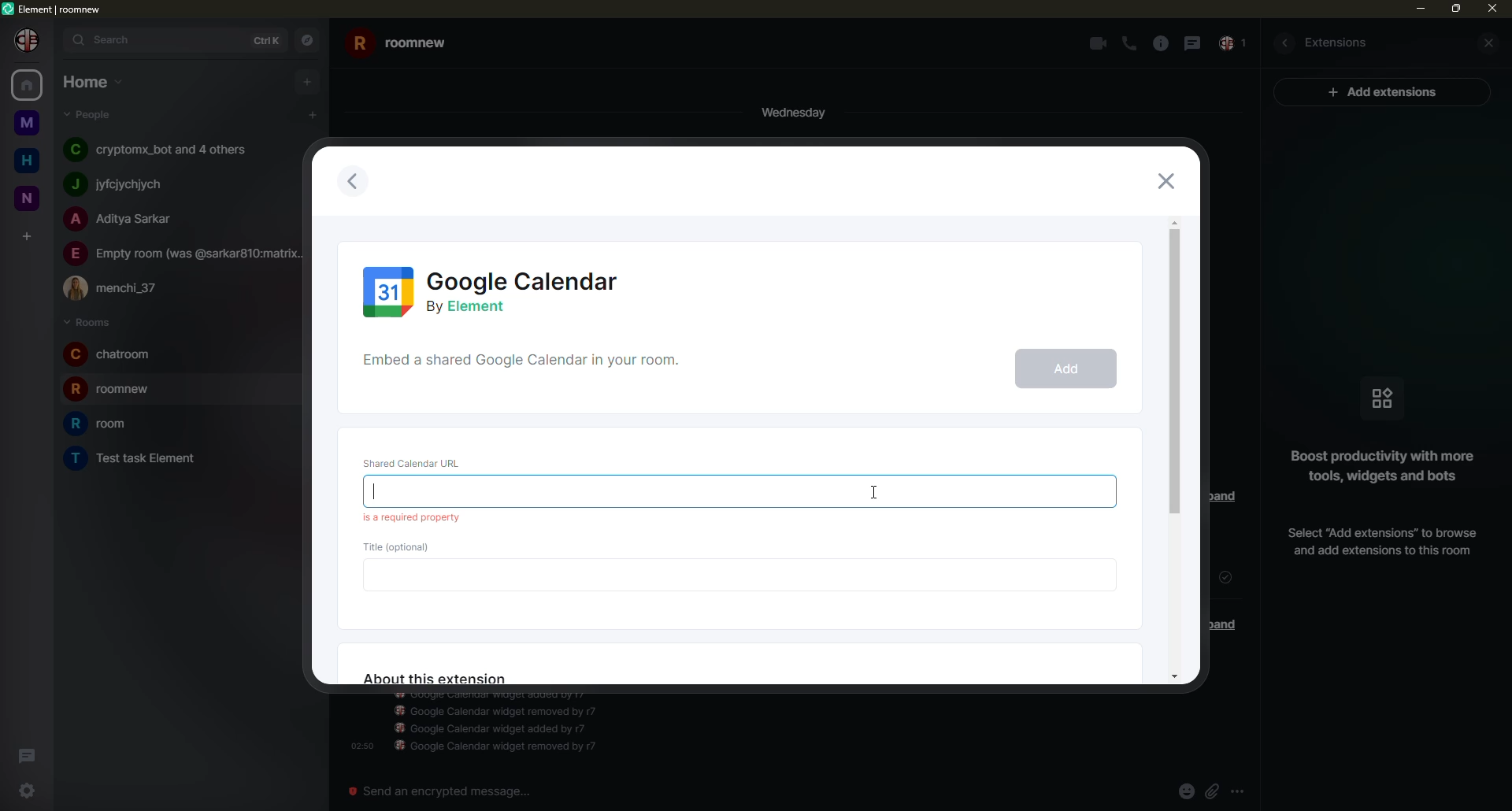 This screenshot has height=811, width=1512. I want to click on ctrlK, so click(267, 39).